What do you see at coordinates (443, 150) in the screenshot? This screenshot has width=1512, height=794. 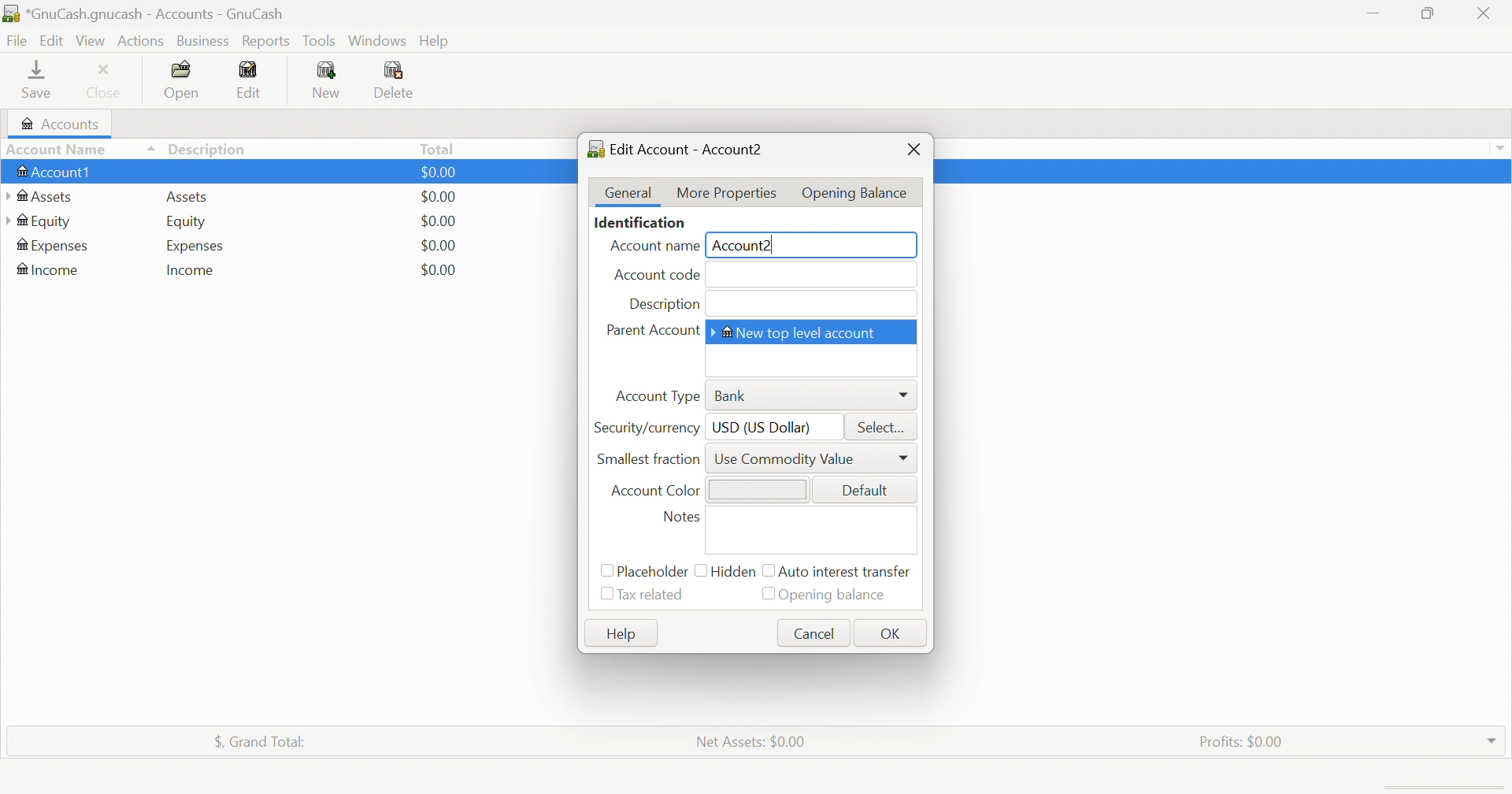 I see `Total` at bounding box center [443, 150].